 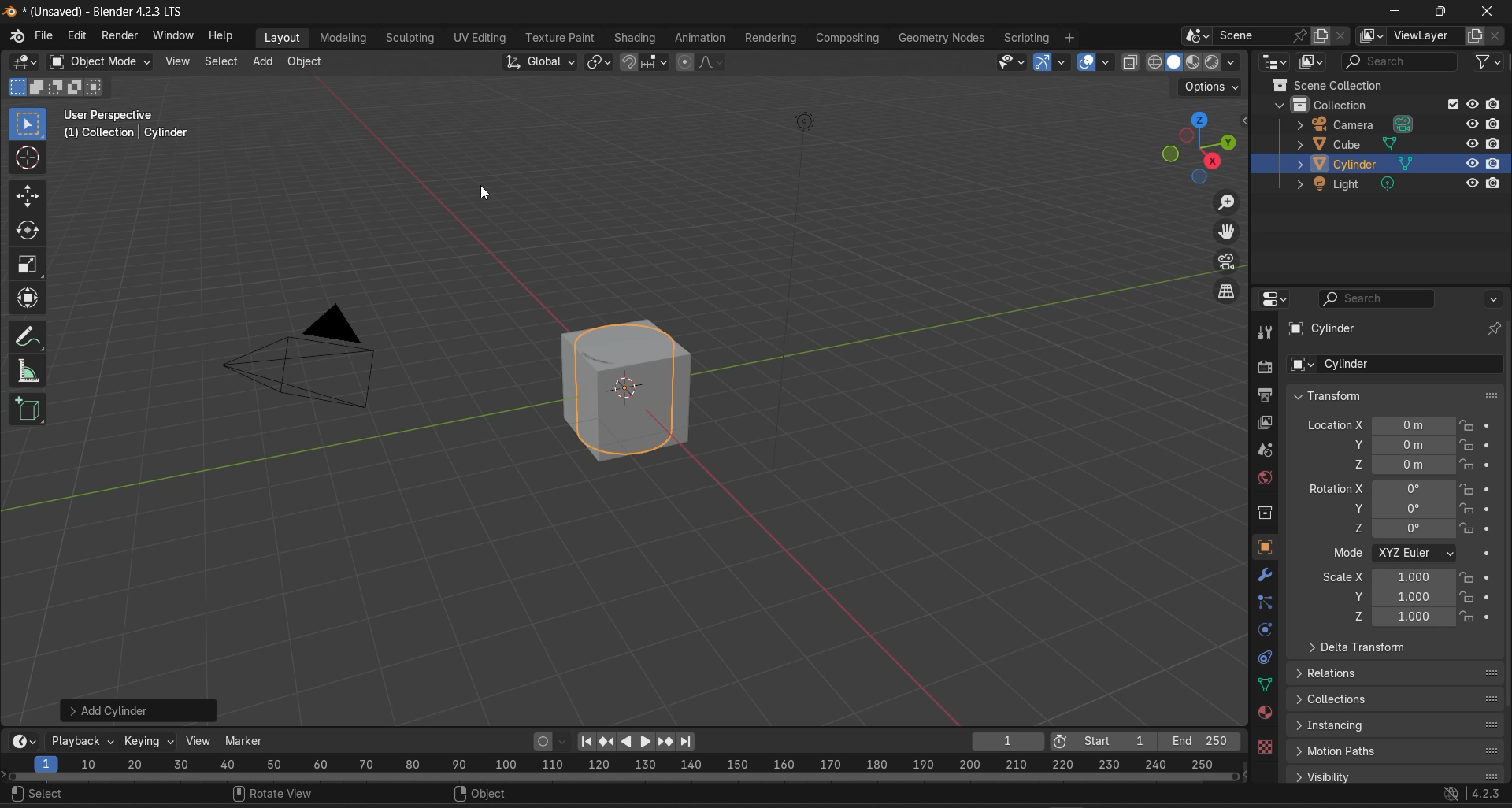 I want to click on lock rotation, so click(x=1469, y=507).